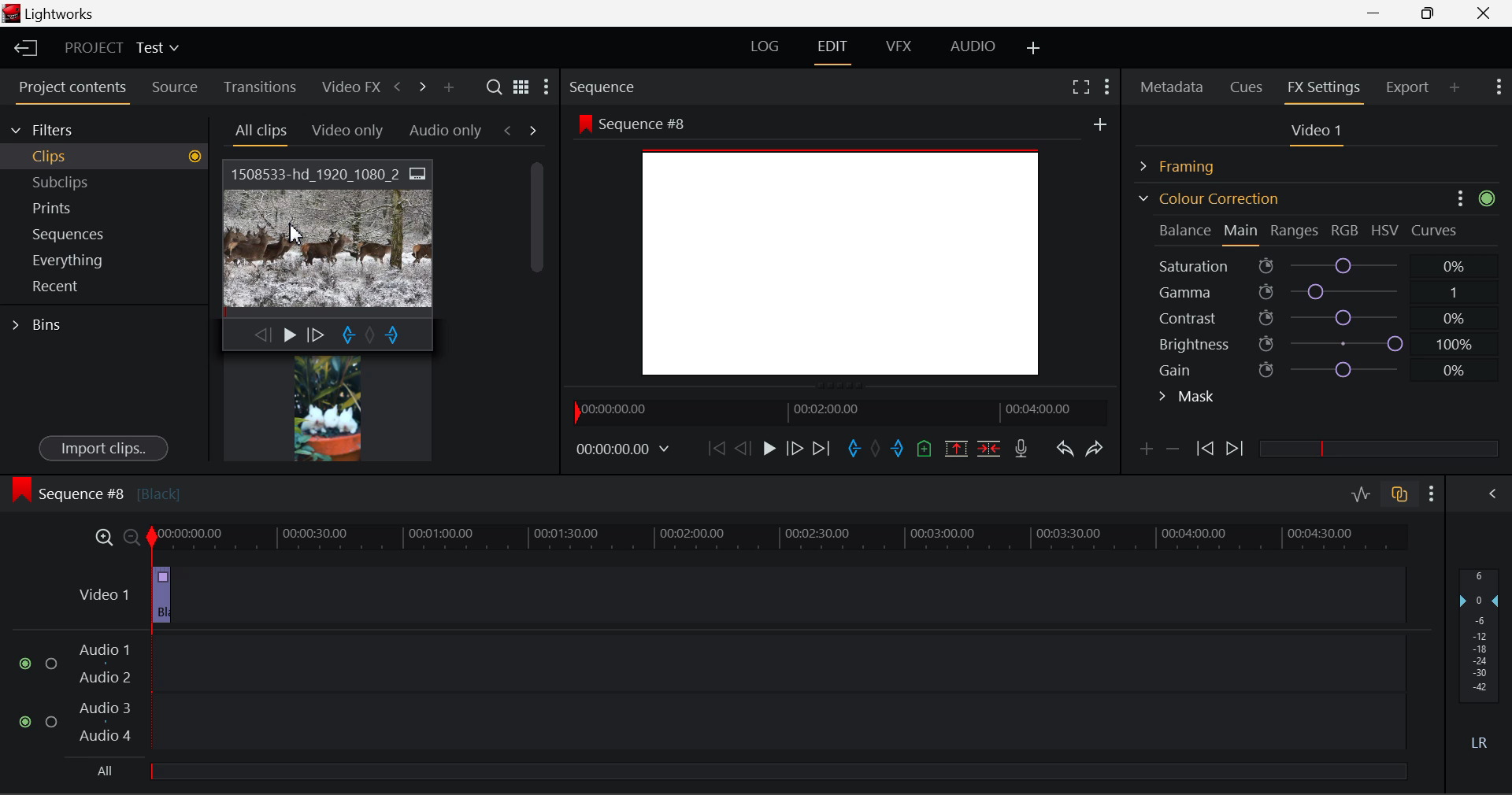 The height and width of the screenshot is (795, 1512). Describe the element at coordinates (835, 50) in the screenshot. I see `EDIT Layout` at that location.